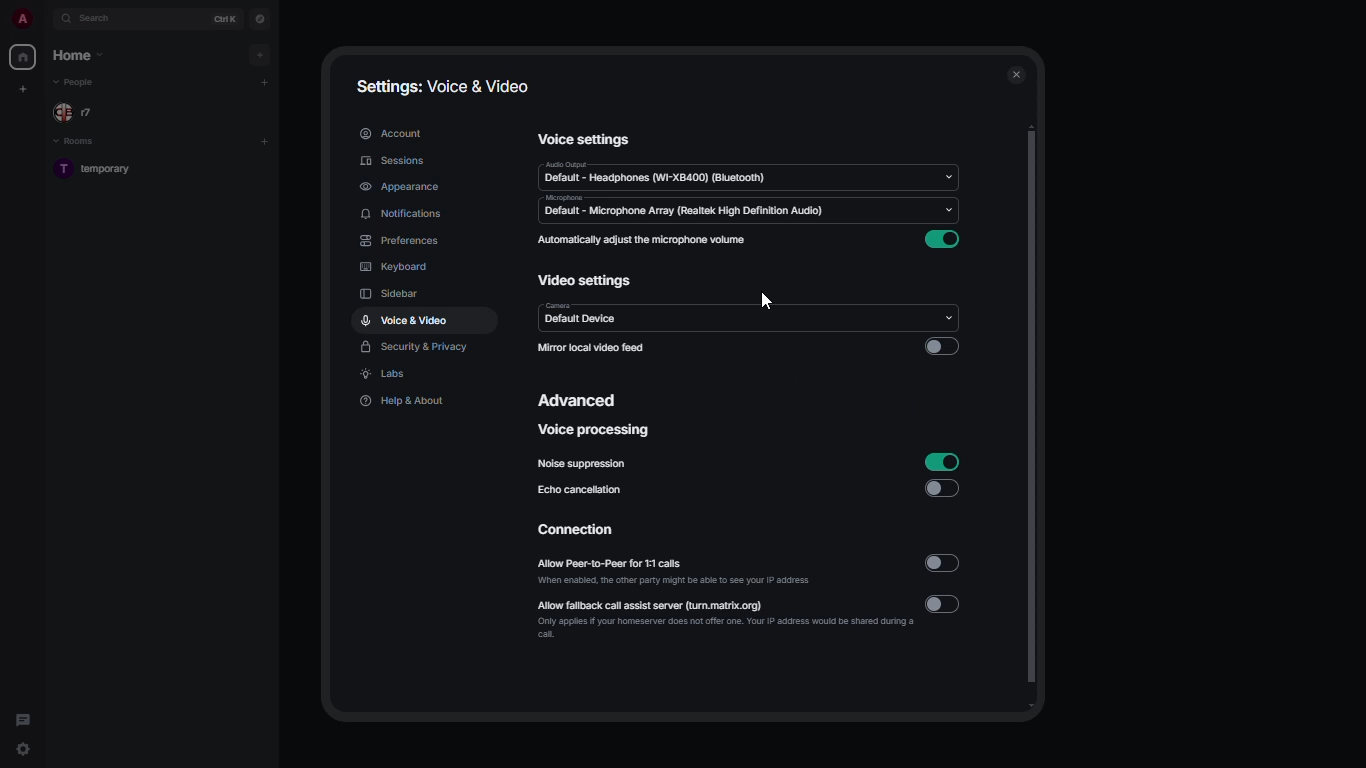  What do you see at coordinates (45, 20) in the screenshot?
I see `expand` at bounding box center [45, 20].